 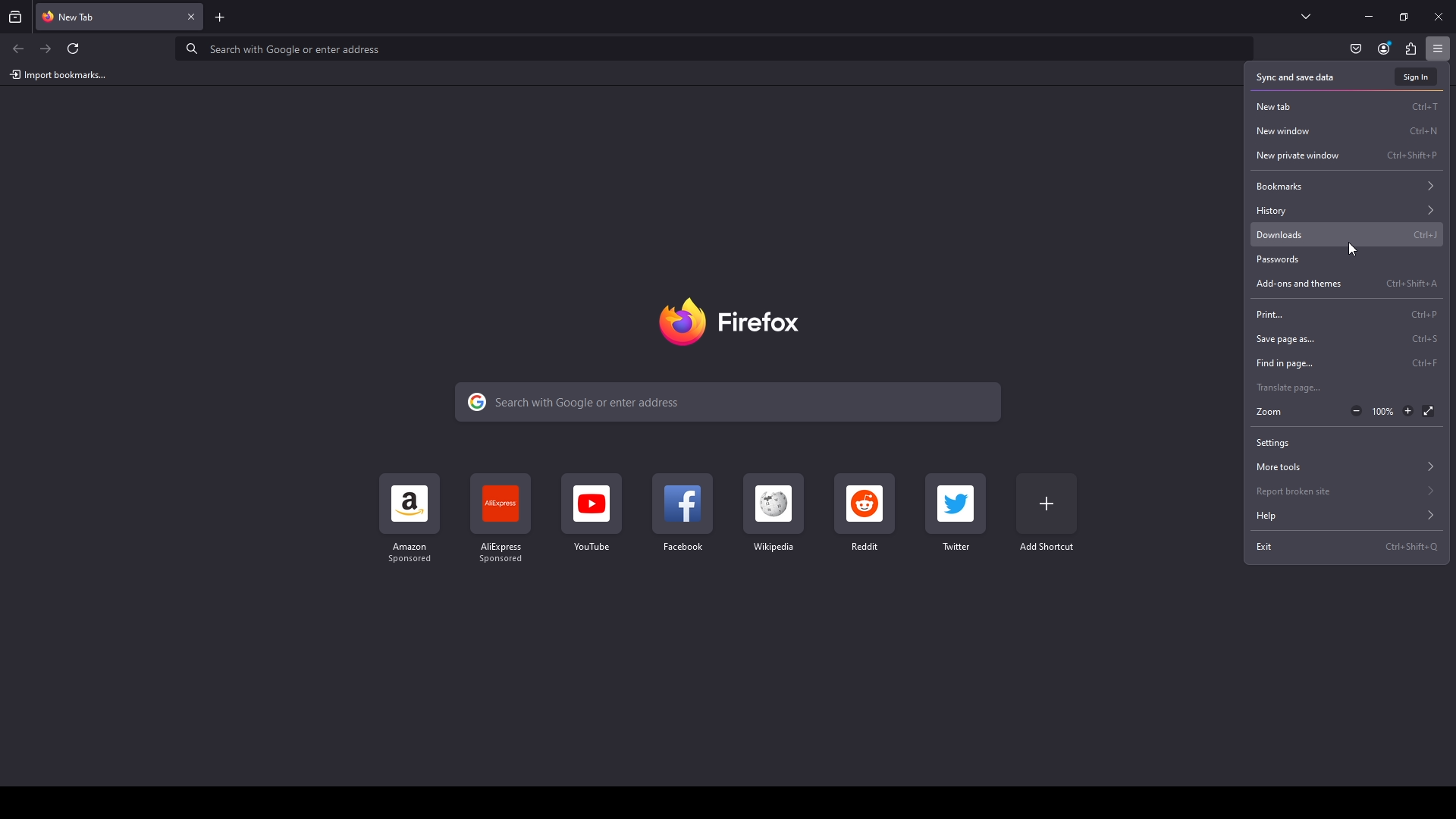 I want to click on Back, so click(x=18, y=49).